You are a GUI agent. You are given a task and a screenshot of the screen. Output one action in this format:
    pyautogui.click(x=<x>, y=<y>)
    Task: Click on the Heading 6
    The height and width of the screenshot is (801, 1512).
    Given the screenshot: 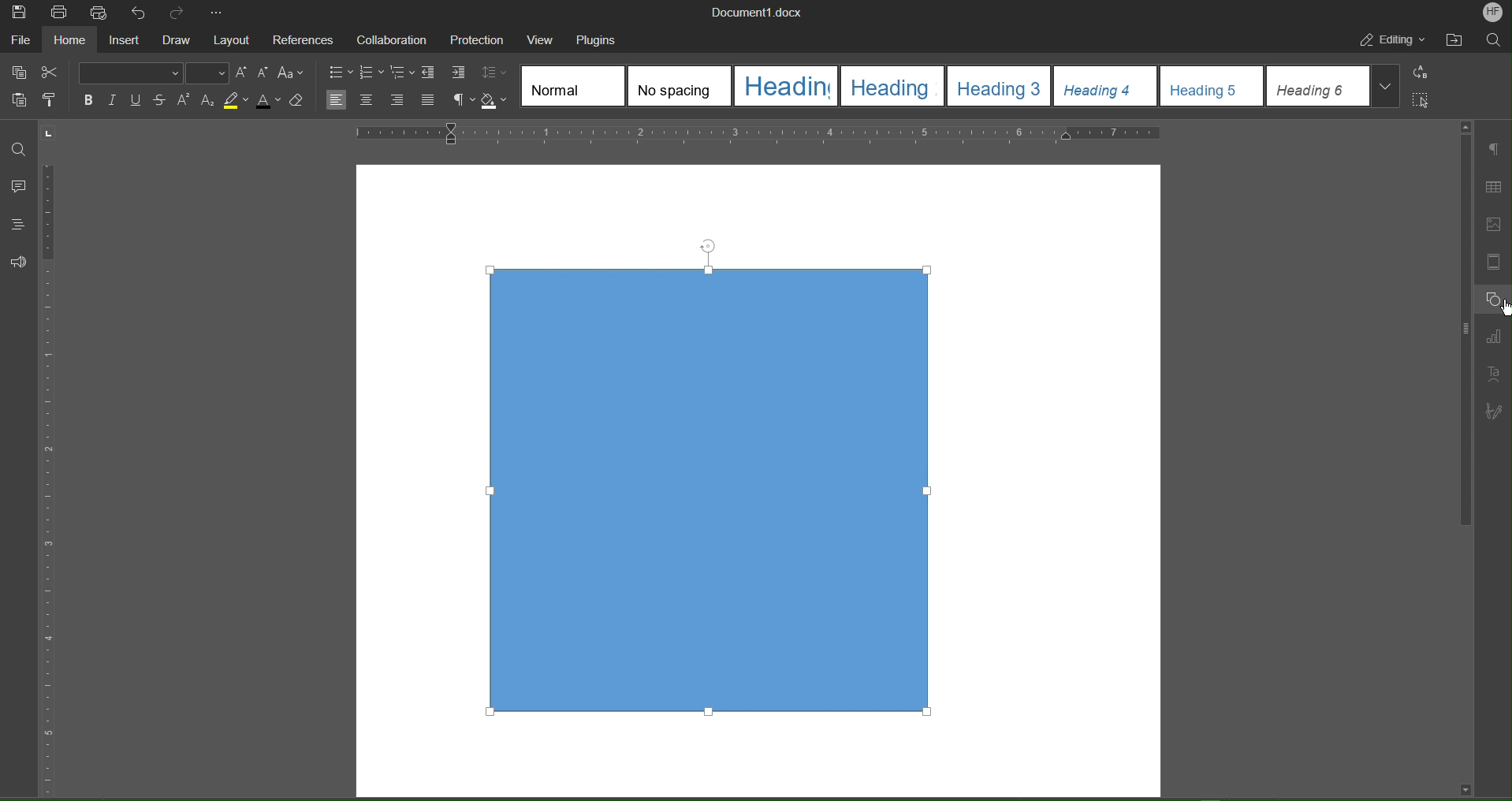 What is the action you would take?
    pyautogui.click(x=1318, y=87)
    